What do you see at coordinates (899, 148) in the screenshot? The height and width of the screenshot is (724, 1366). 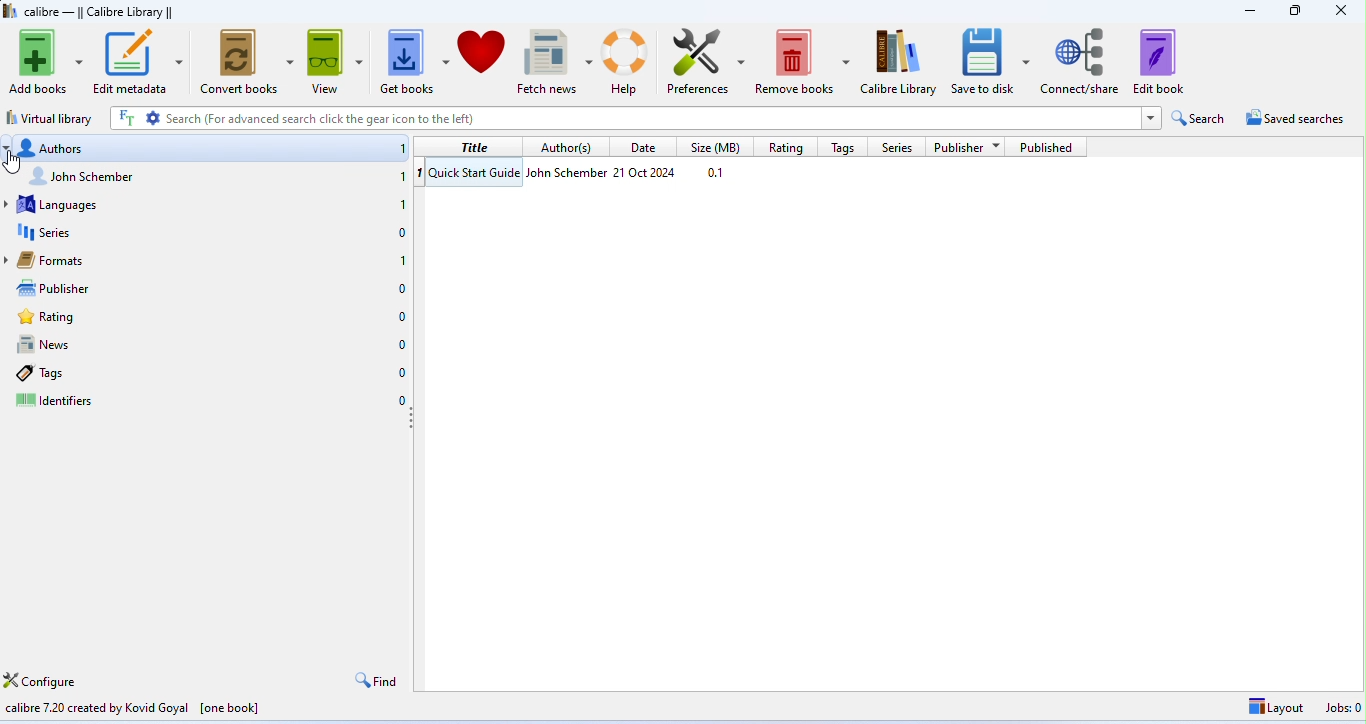 I see `series` at bounding box center [899, 148].